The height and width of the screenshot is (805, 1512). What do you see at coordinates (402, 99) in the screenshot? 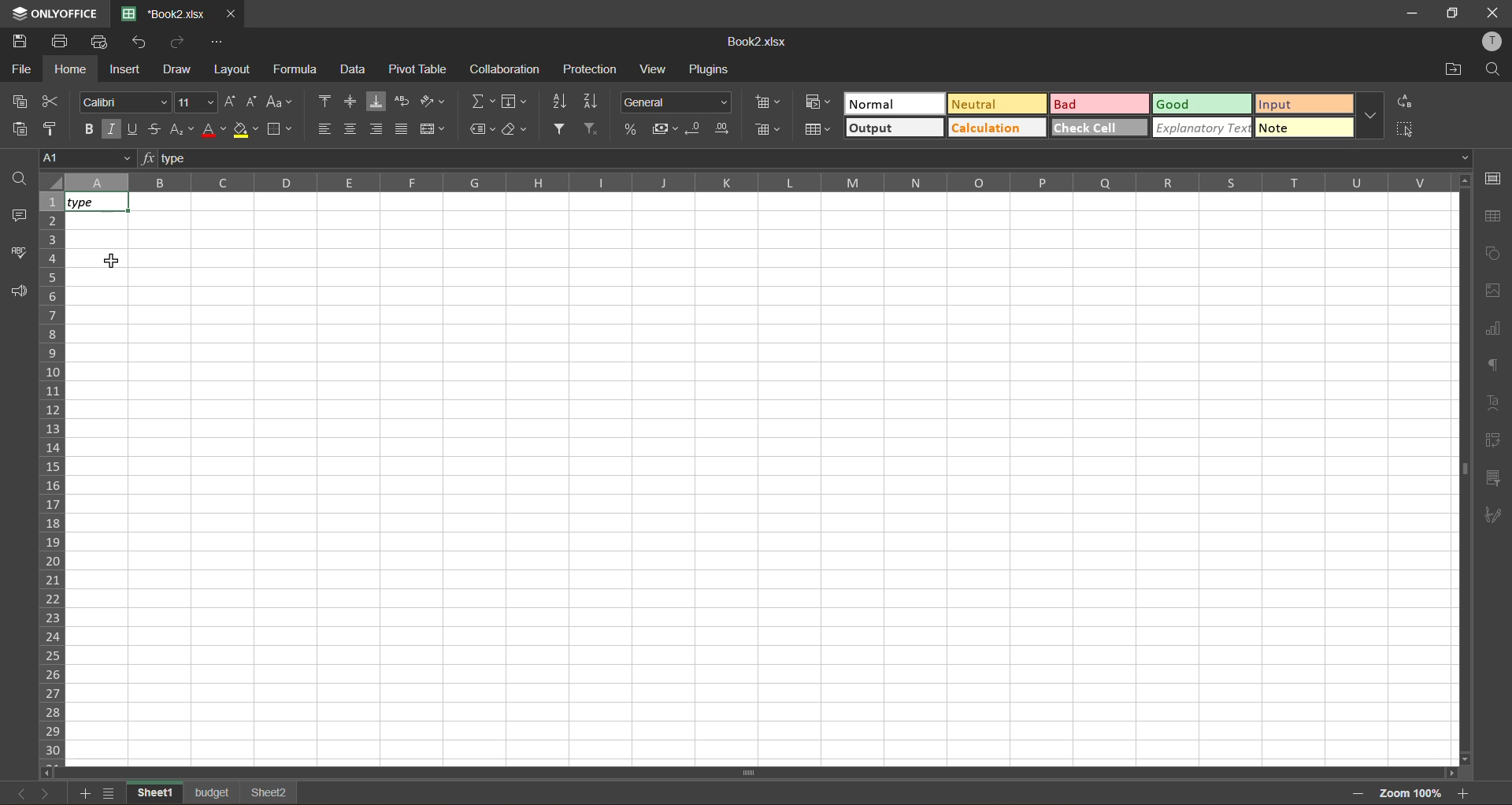
I see `wrap text` at bounding box center [402, 99].